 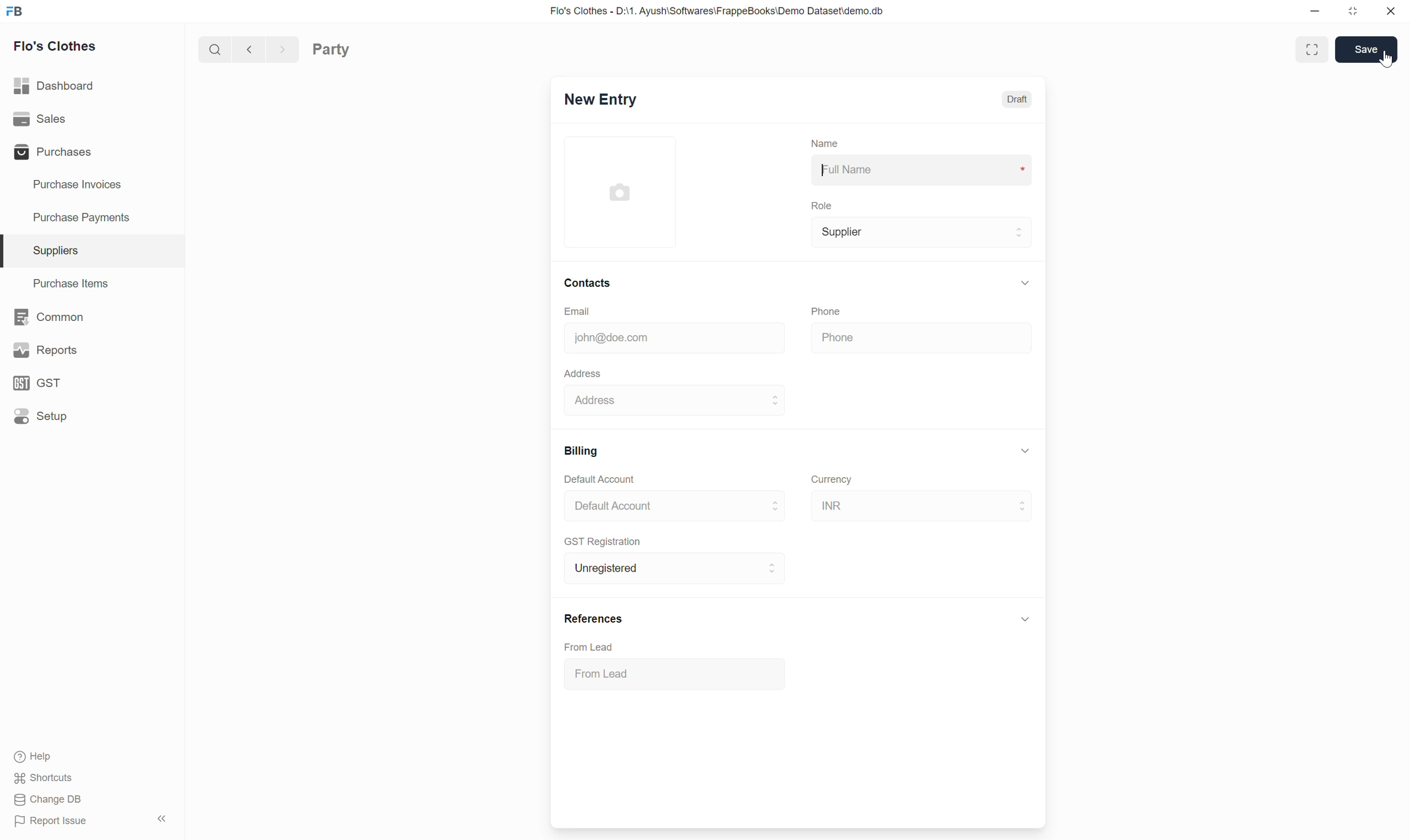 I want to click on Flo's Clothes - D:\1. Ayush\Softwares\FrappeBooks\Demo Dataset\demo.db, so click(x=717, y=11).